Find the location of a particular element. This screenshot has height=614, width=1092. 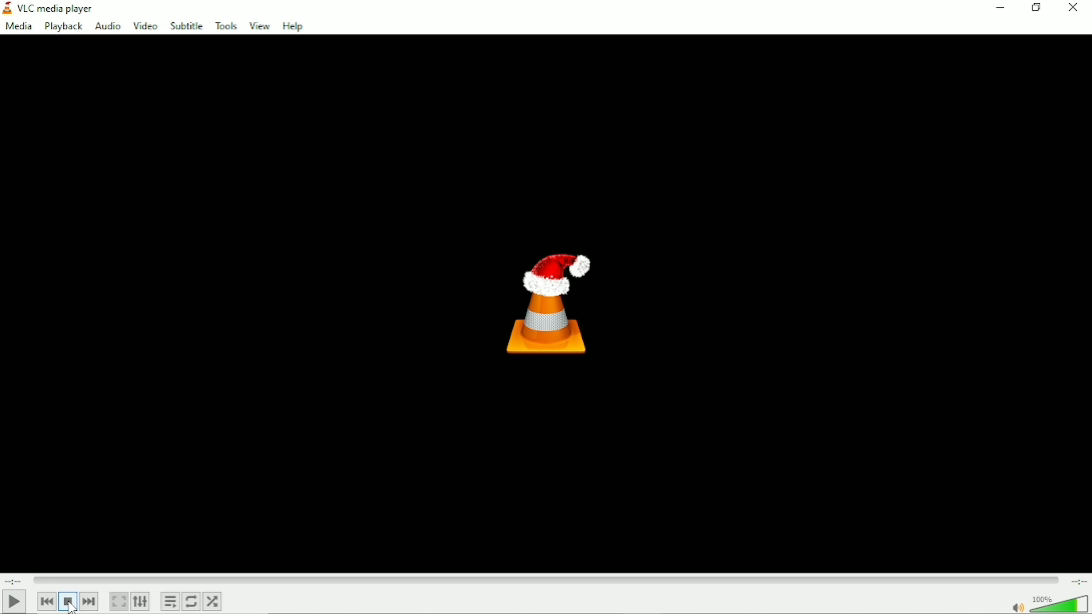

Play duration is located at coordinates (545, 580).